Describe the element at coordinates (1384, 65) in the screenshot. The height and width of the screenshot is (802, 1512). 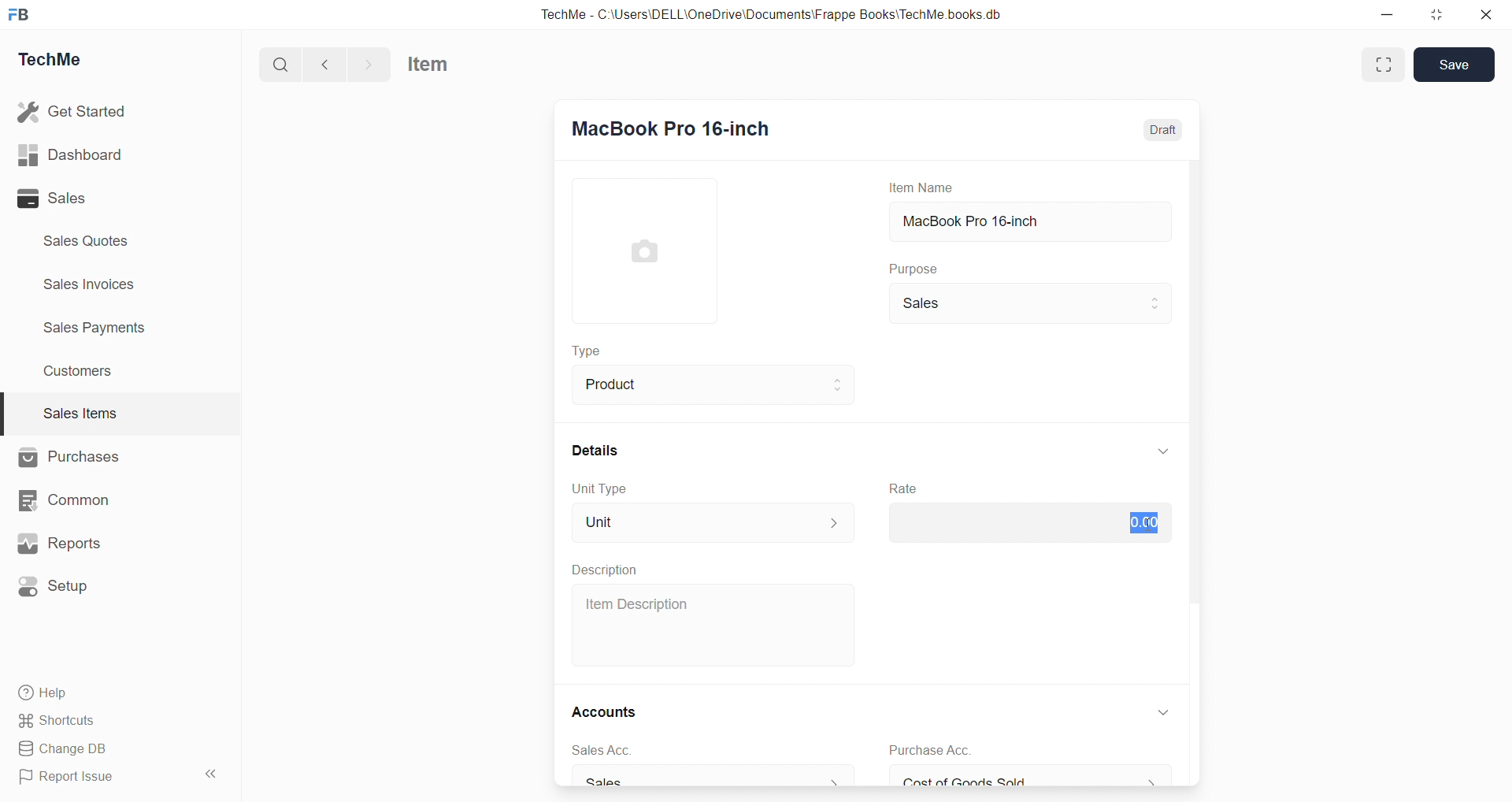
I see `enlarge` at that location.